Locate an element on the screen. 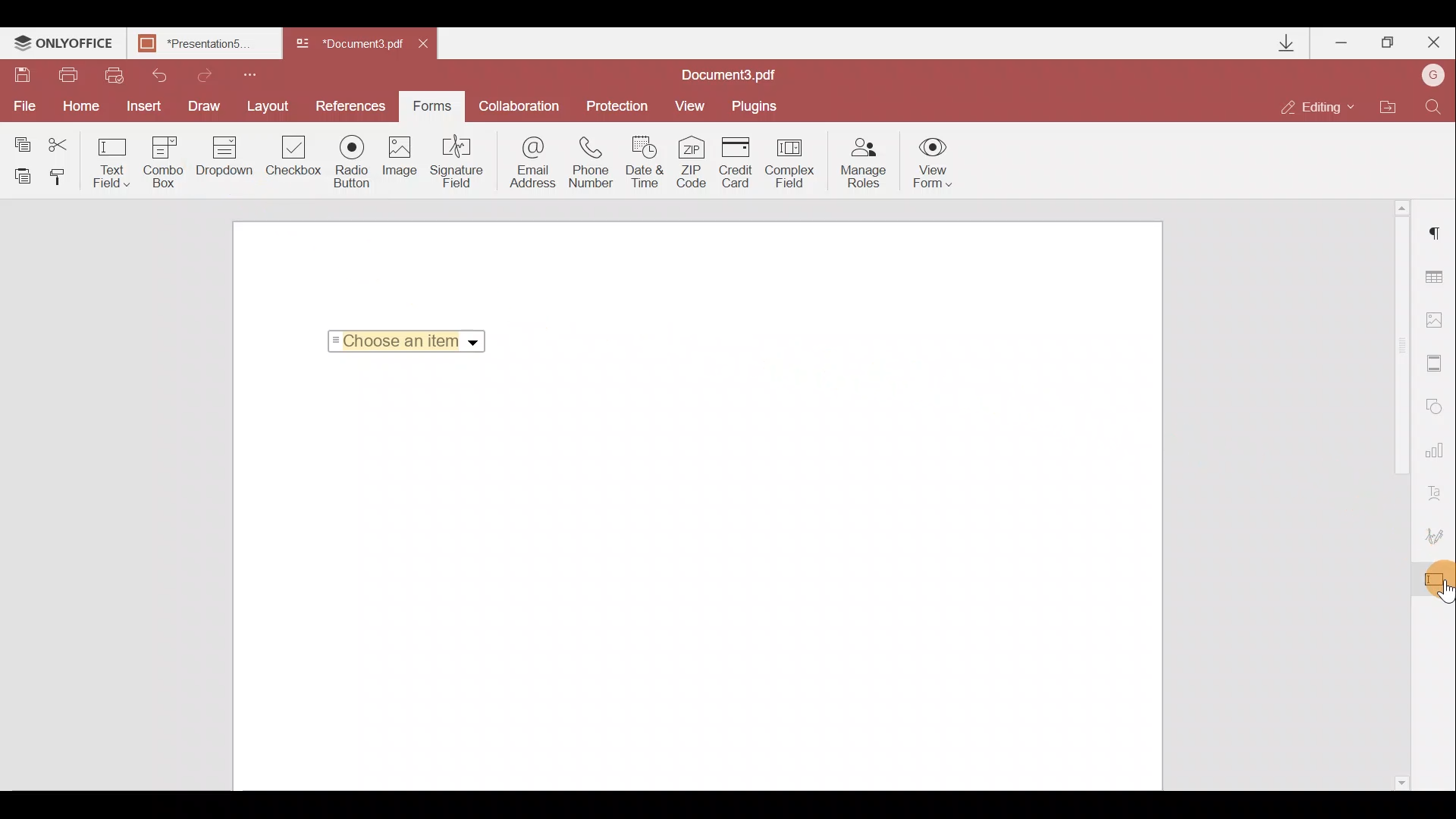 This screenshot has width=1456, height=819. Headers & footers settings is located at coordinates (1439, 364).